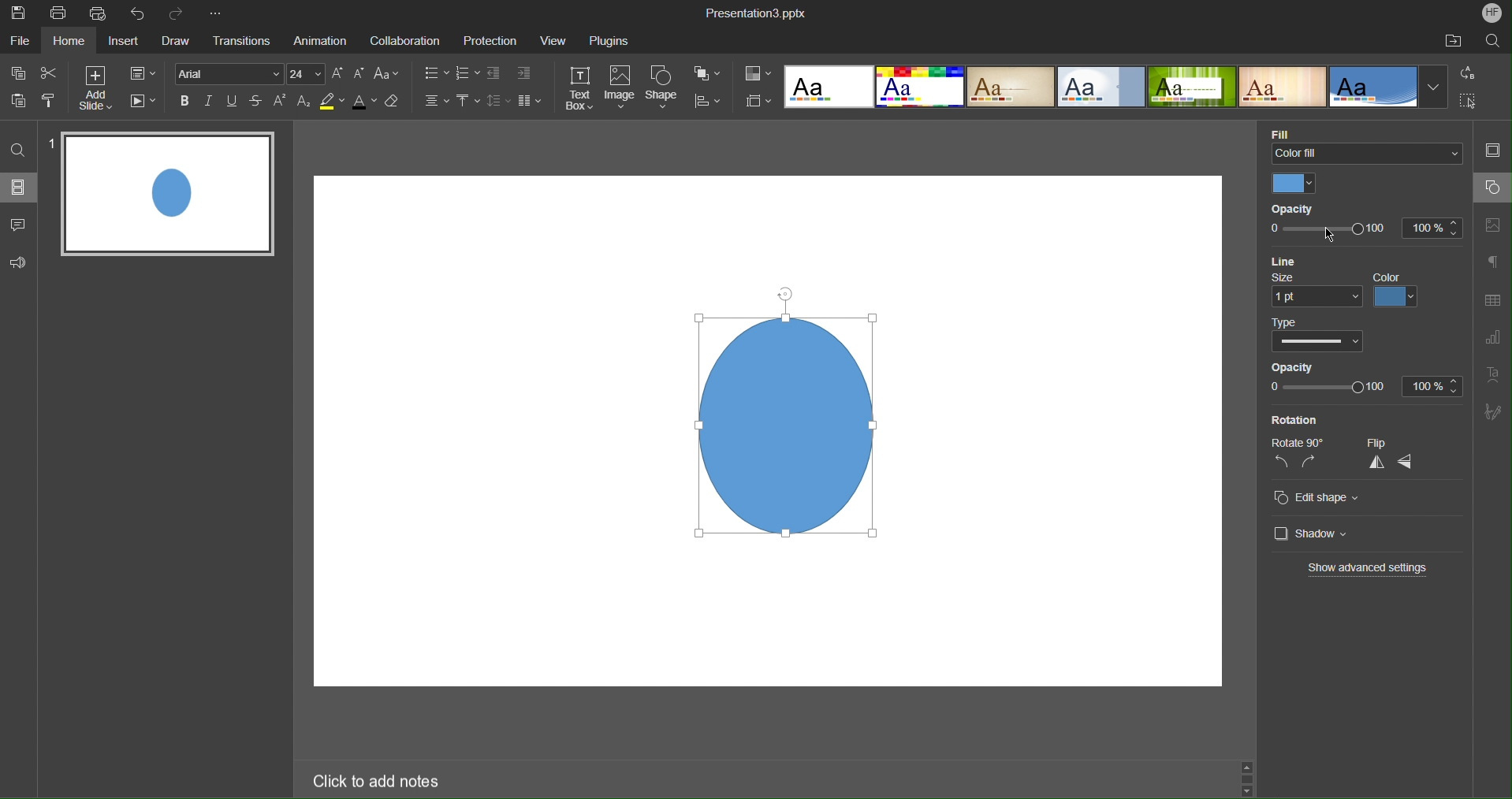 The width and height of the screenshot is (1512, 799). I want to click on Scroll bar, so click(1252, 775).